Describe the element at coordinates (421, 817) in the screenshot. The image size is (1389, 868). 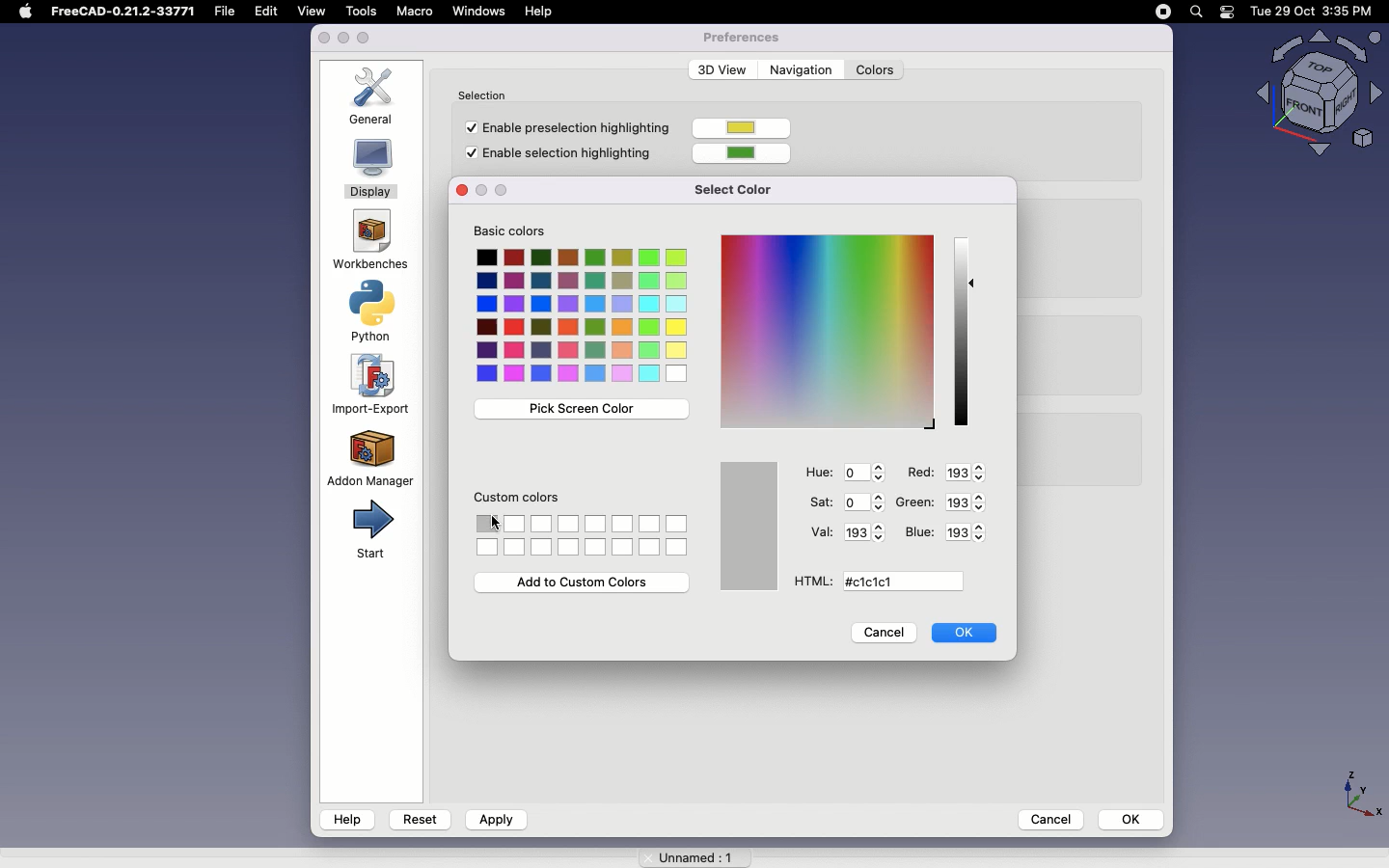
I see `Reset` at that location.